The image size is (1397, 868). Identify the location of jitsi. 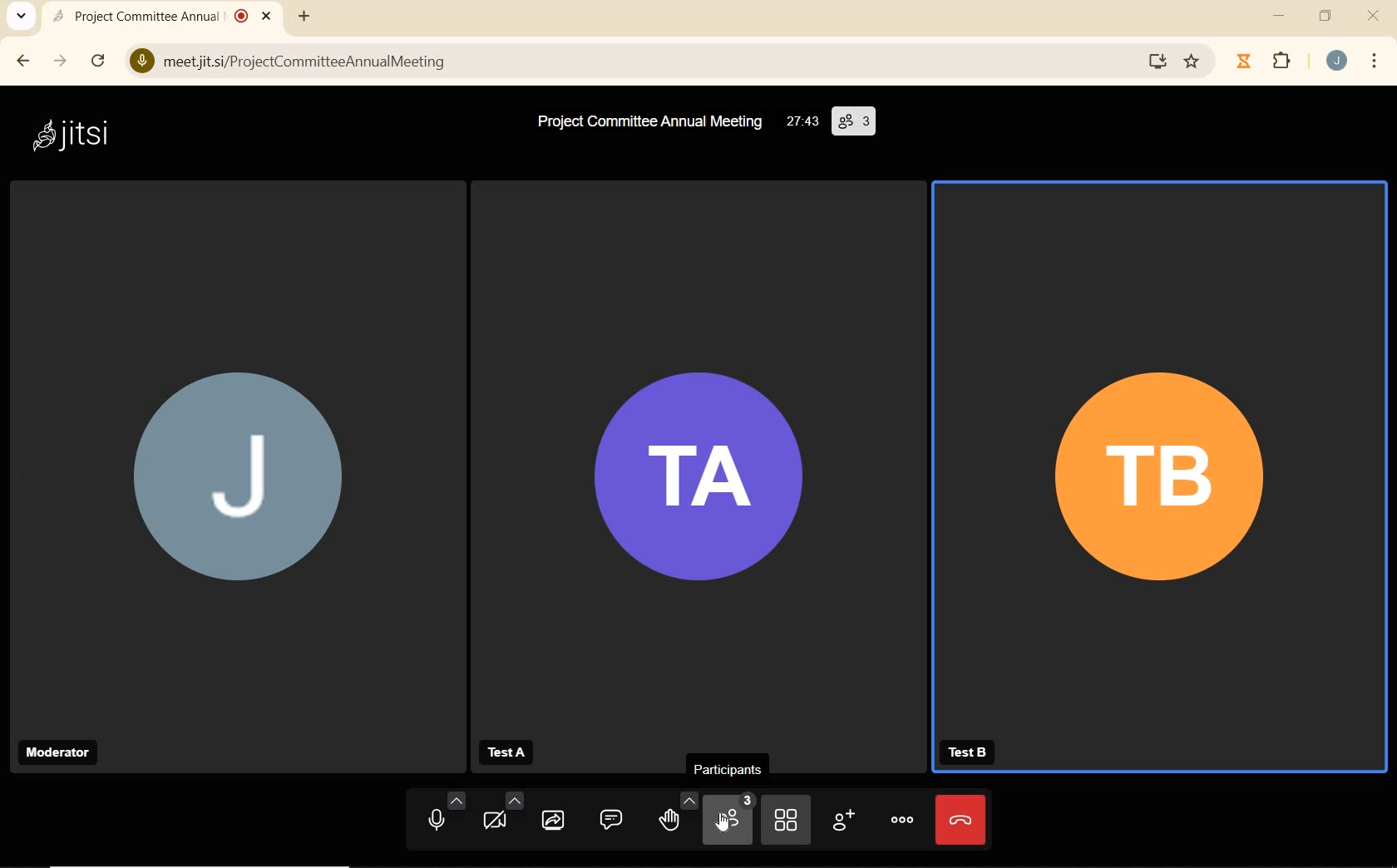
(74, 134).